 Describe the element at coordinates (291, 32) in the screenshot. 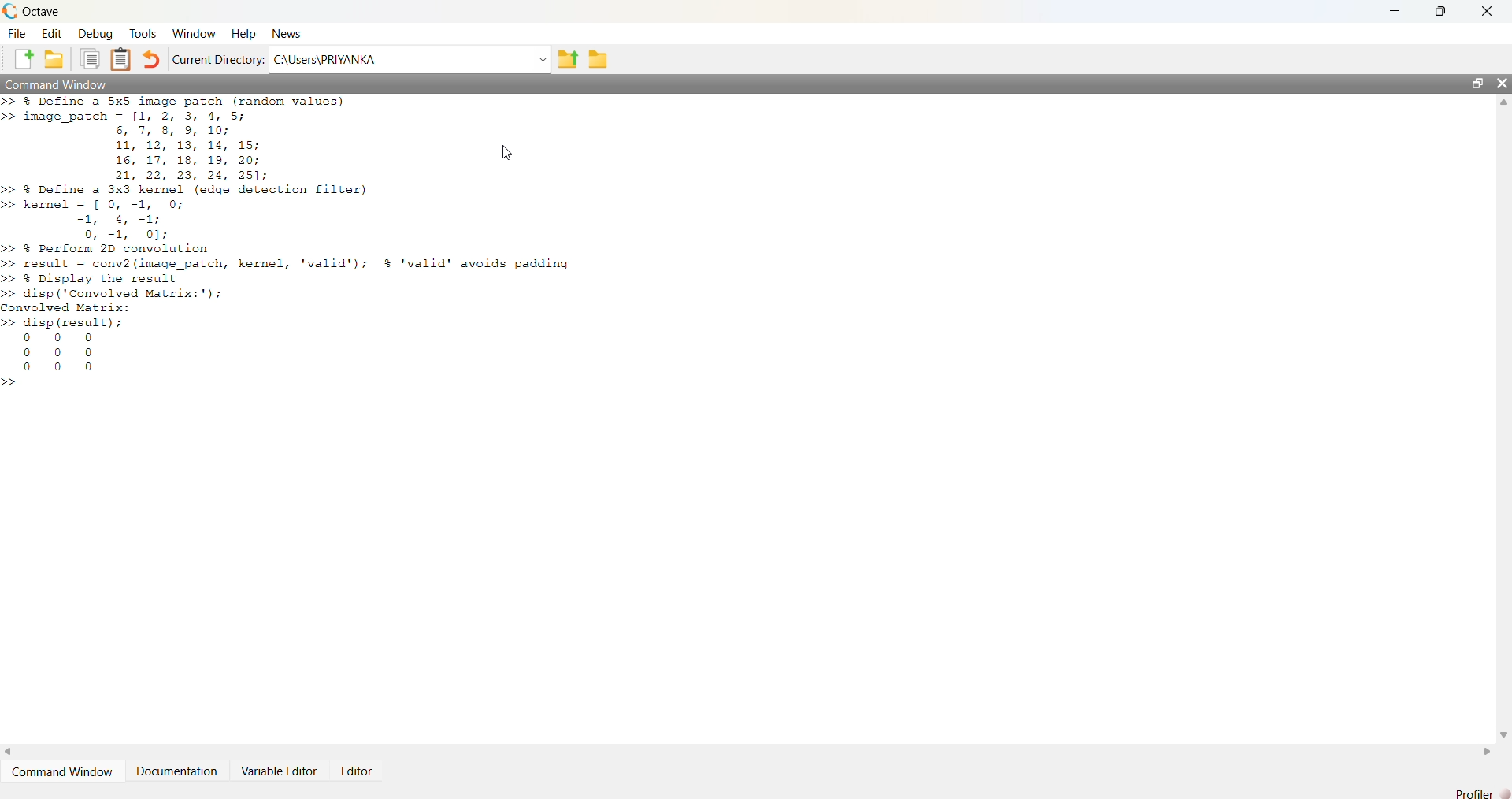

I see `News` at that location.